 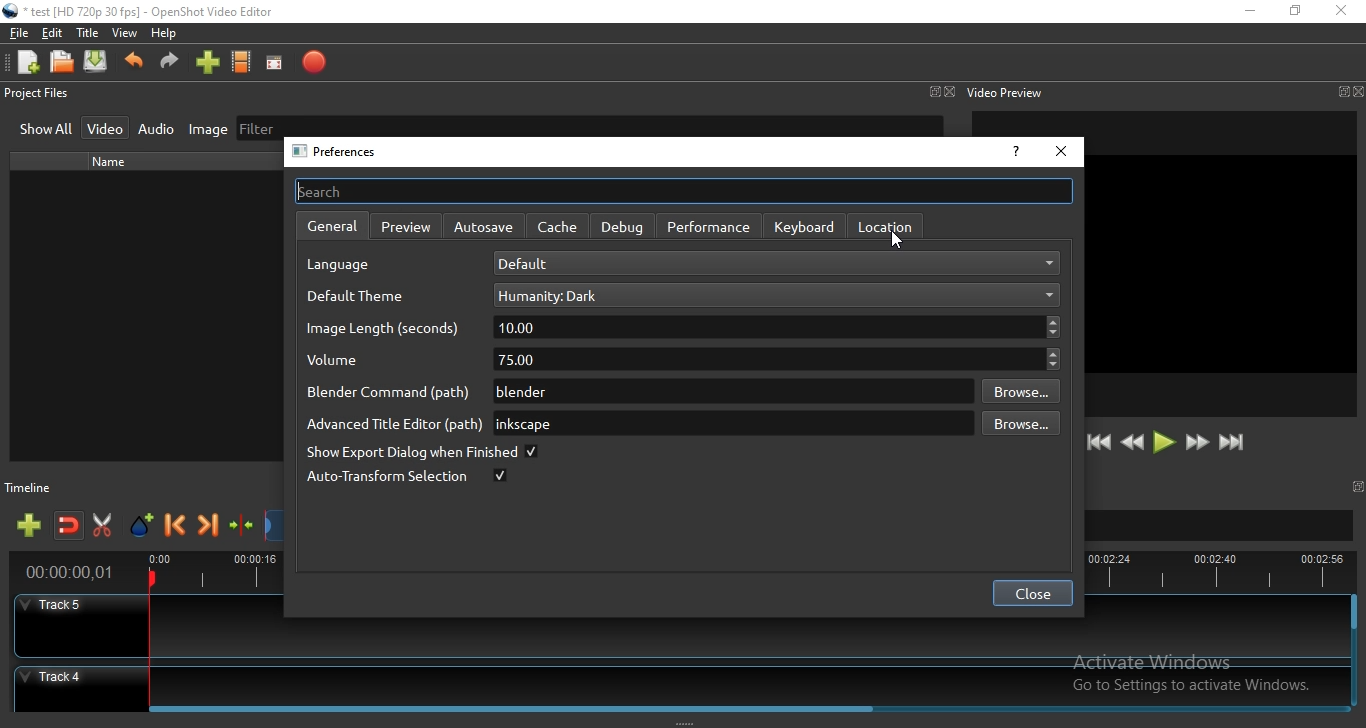 I want to click on search, so click(x=683, y=190).